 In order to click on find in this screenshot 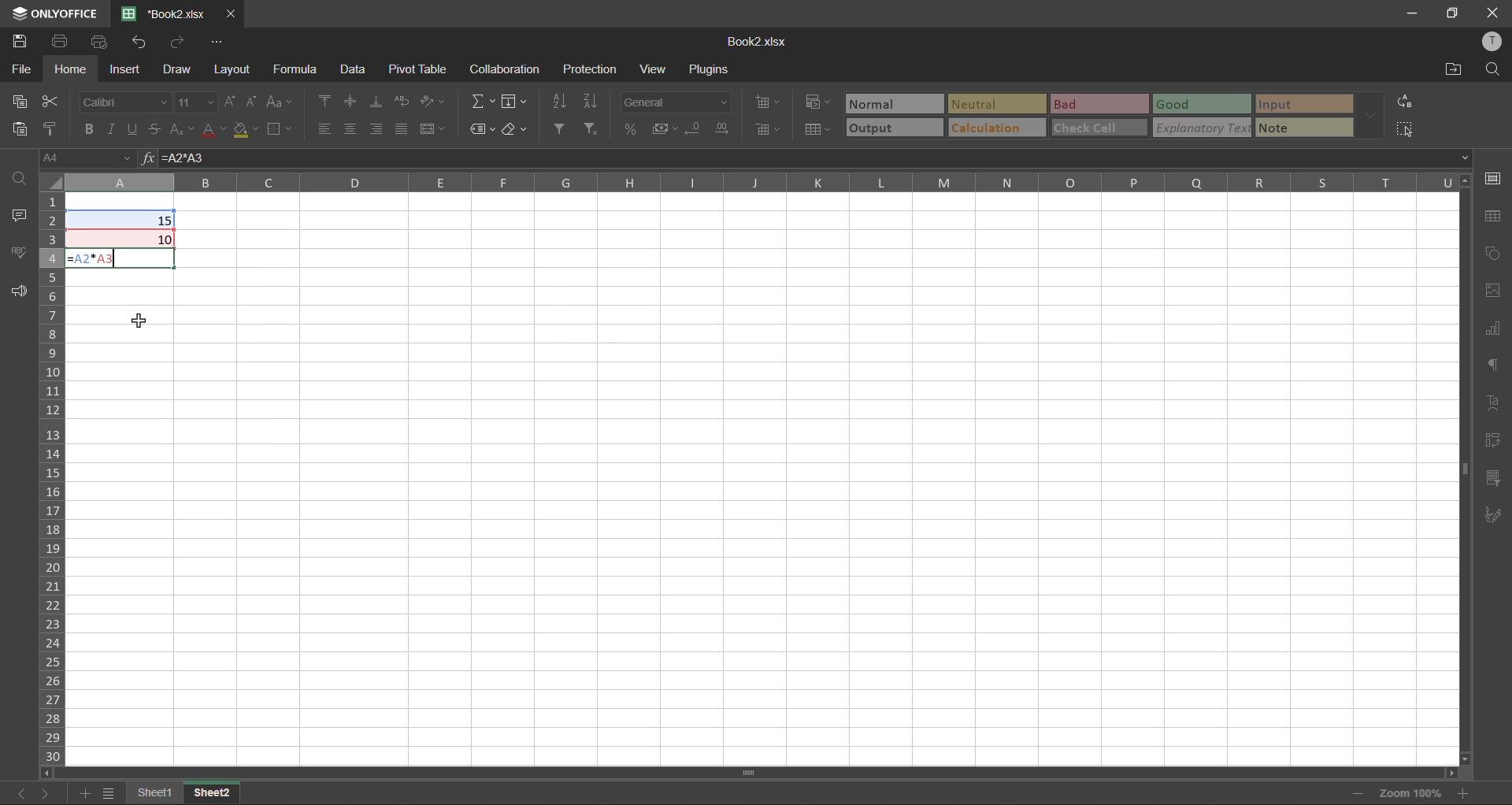, I will do `click(22, 178)`.